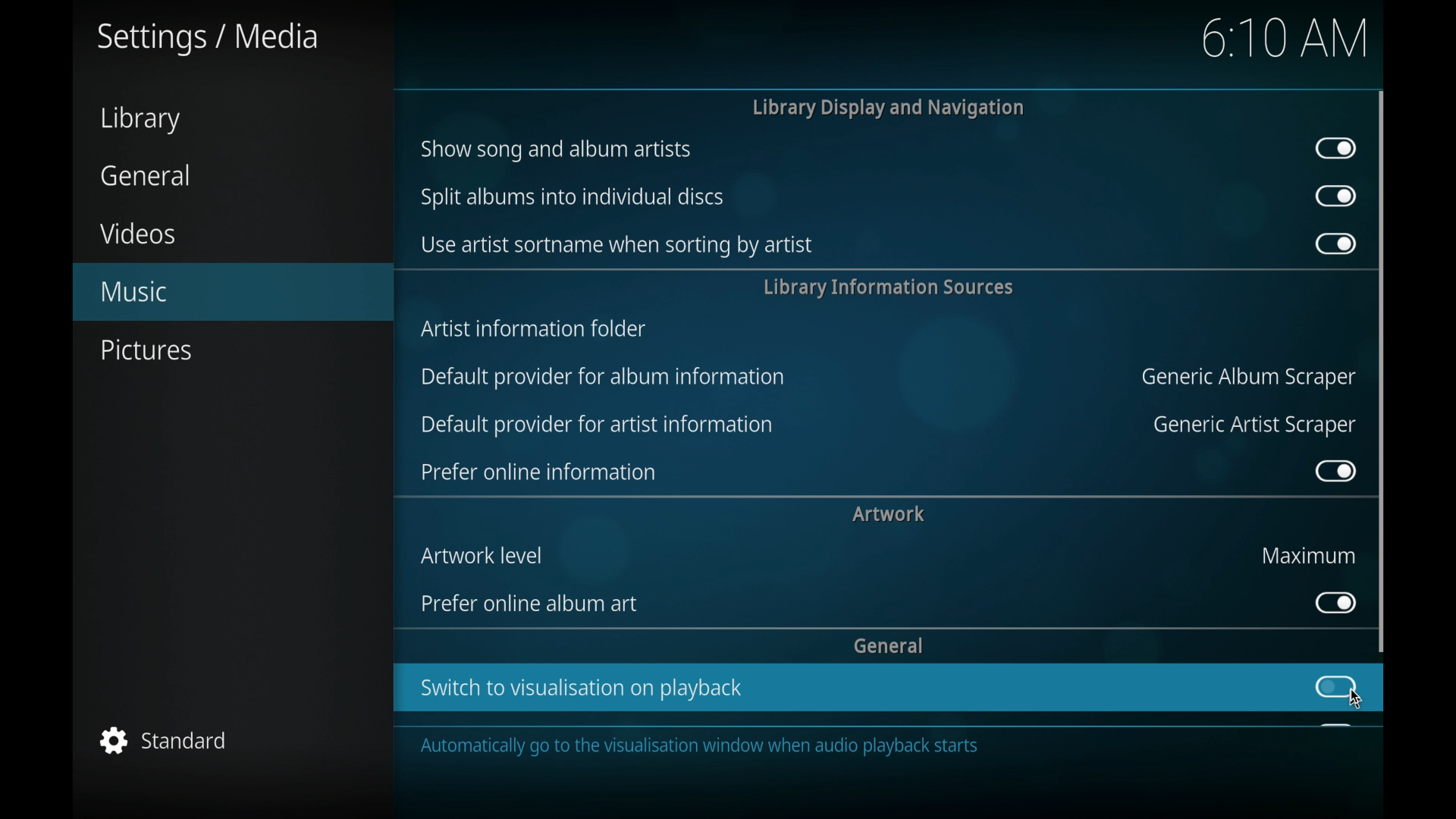 The width and height of the screenshot is (1456, 819). What do you see at coordinates (573, 197) in the screenshot?
I see `split albums` at bounding box center [573, 197].